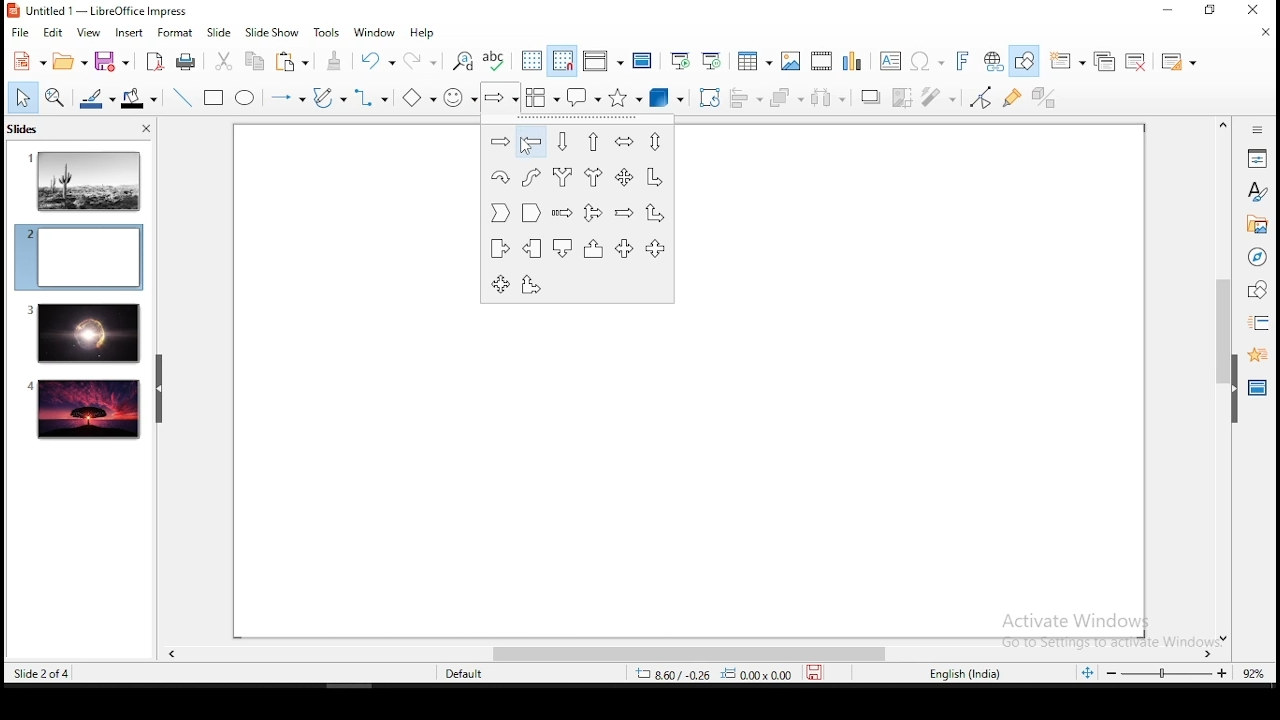 This screenshot has height=720, width=1280. What do you see at coordinates (654, 142) in the screenshot?
I see `up and down arrow` at bounding box center [654, 142].